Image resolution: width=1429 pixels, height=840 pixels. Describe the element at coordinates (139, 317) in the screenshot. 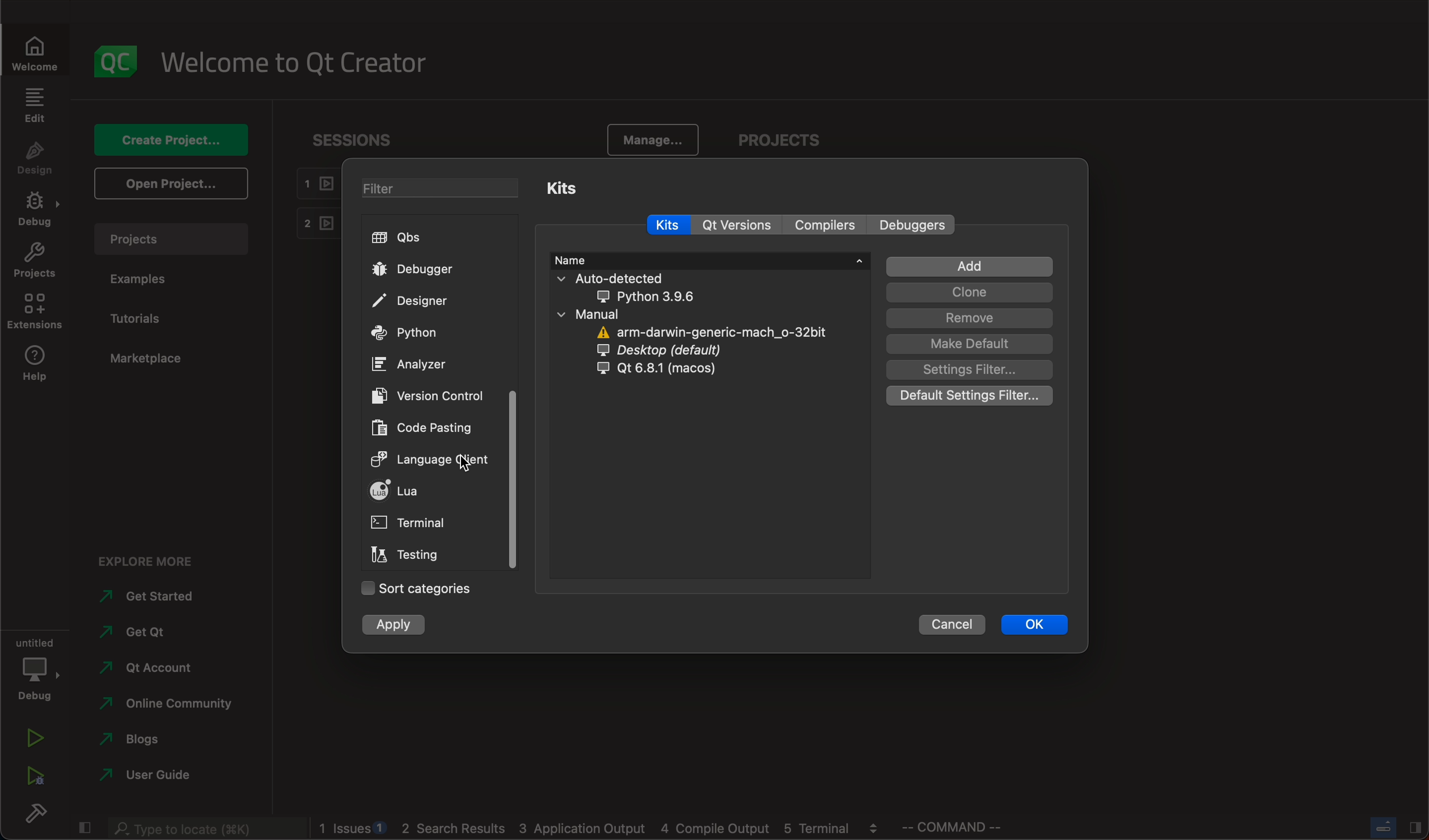

I see `tutorials` at that location.